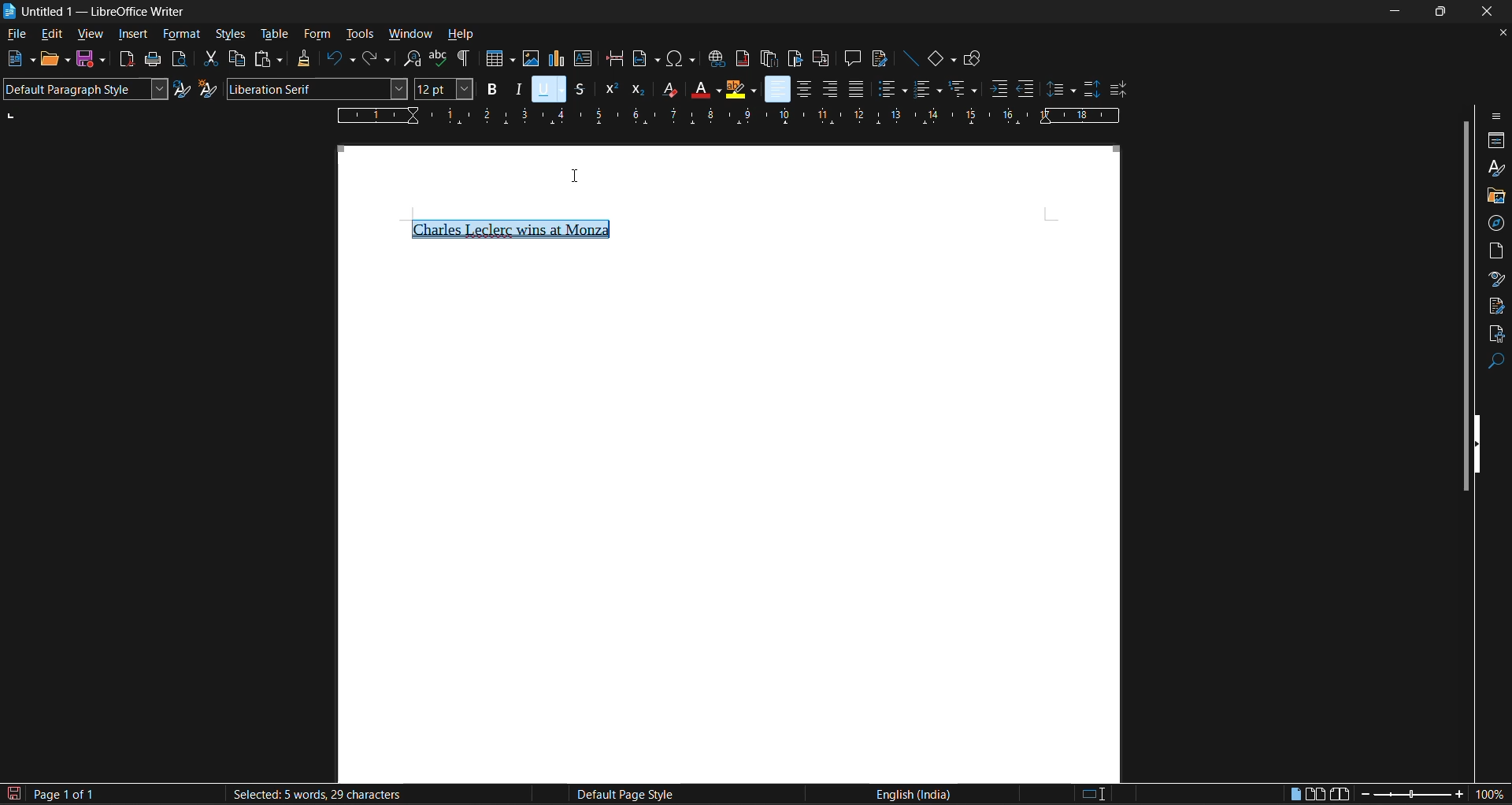  What do you see at coordinates (963, 91) in the screenshot?
I see `select outline format` at bounding box center [963, 91].